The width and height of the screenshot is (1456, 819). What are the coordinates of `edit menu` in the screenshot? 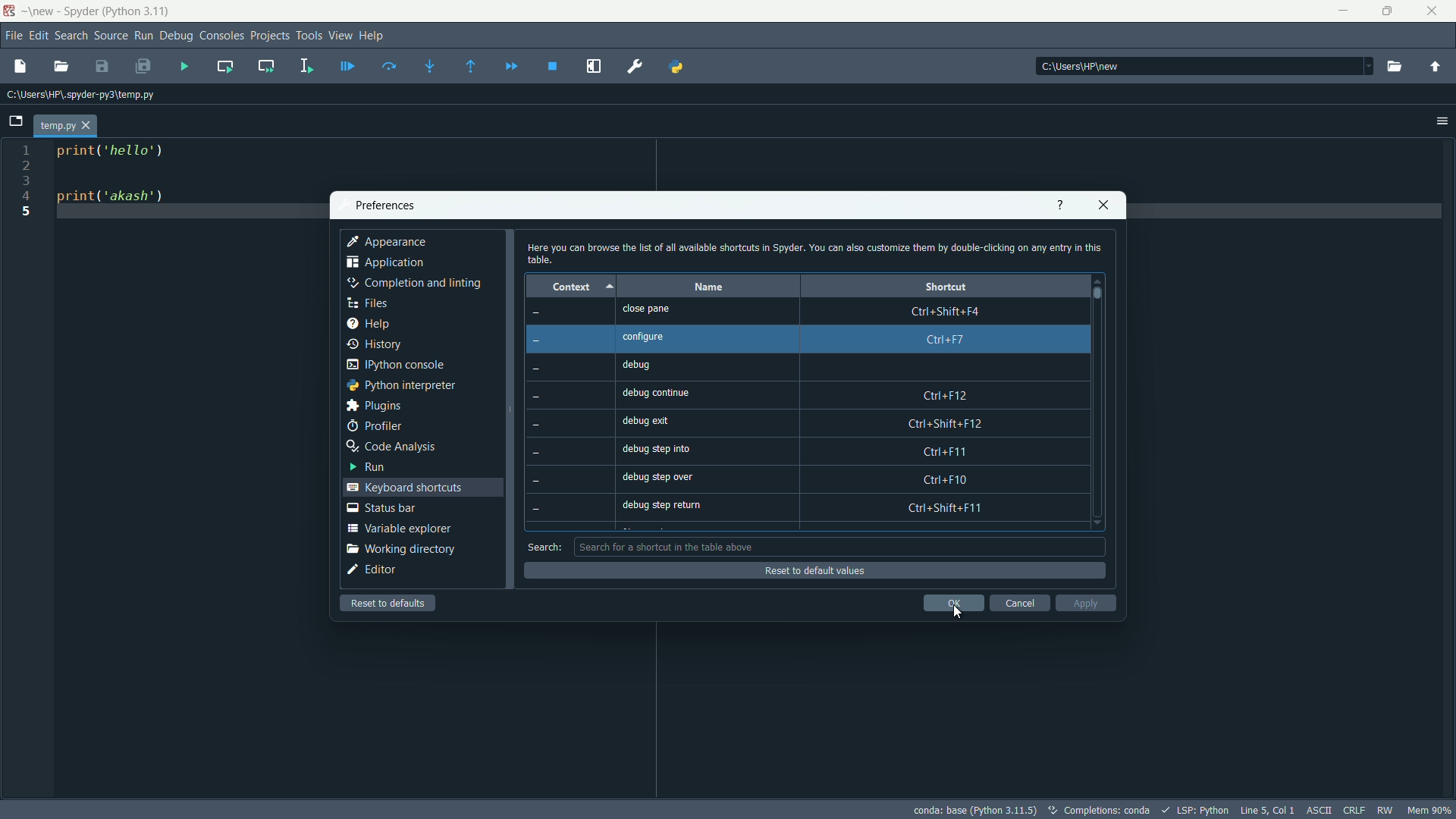 It's located at (38, 36).